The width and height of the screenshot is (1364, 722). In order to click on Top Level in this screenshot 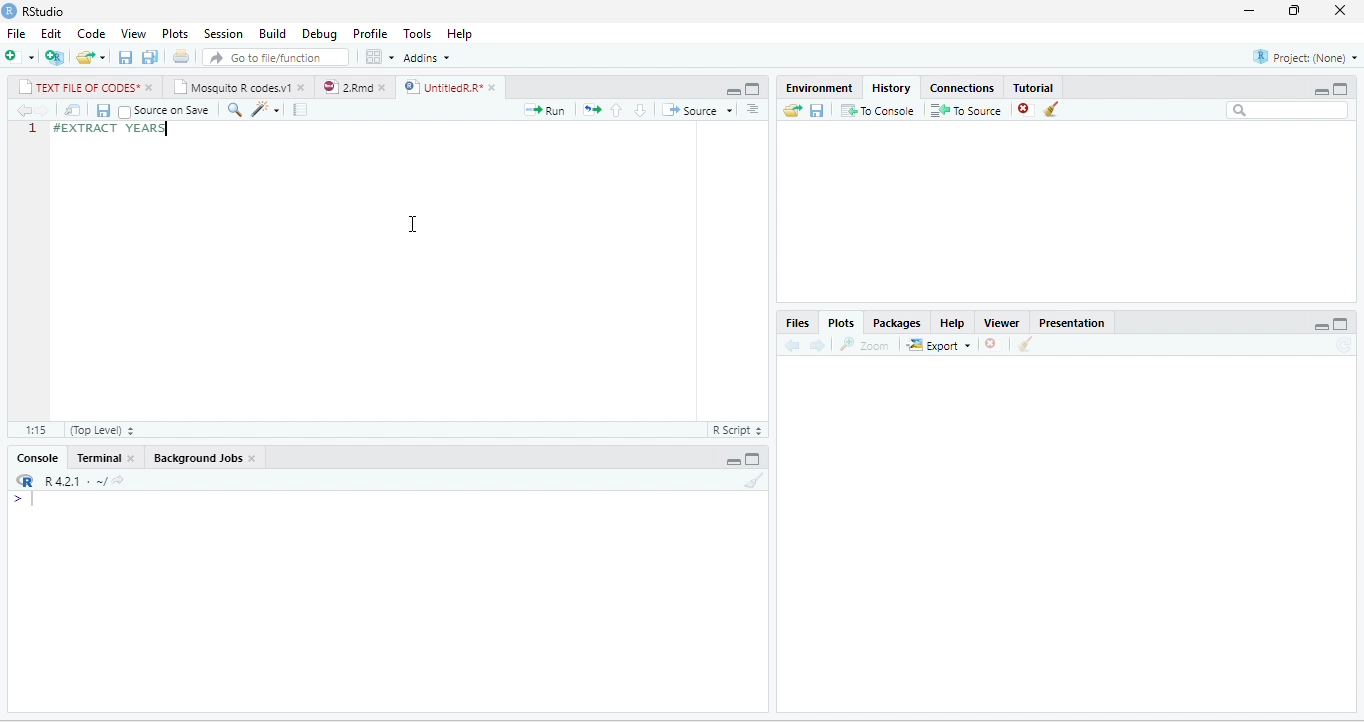, I will do `click(102, 429)`.